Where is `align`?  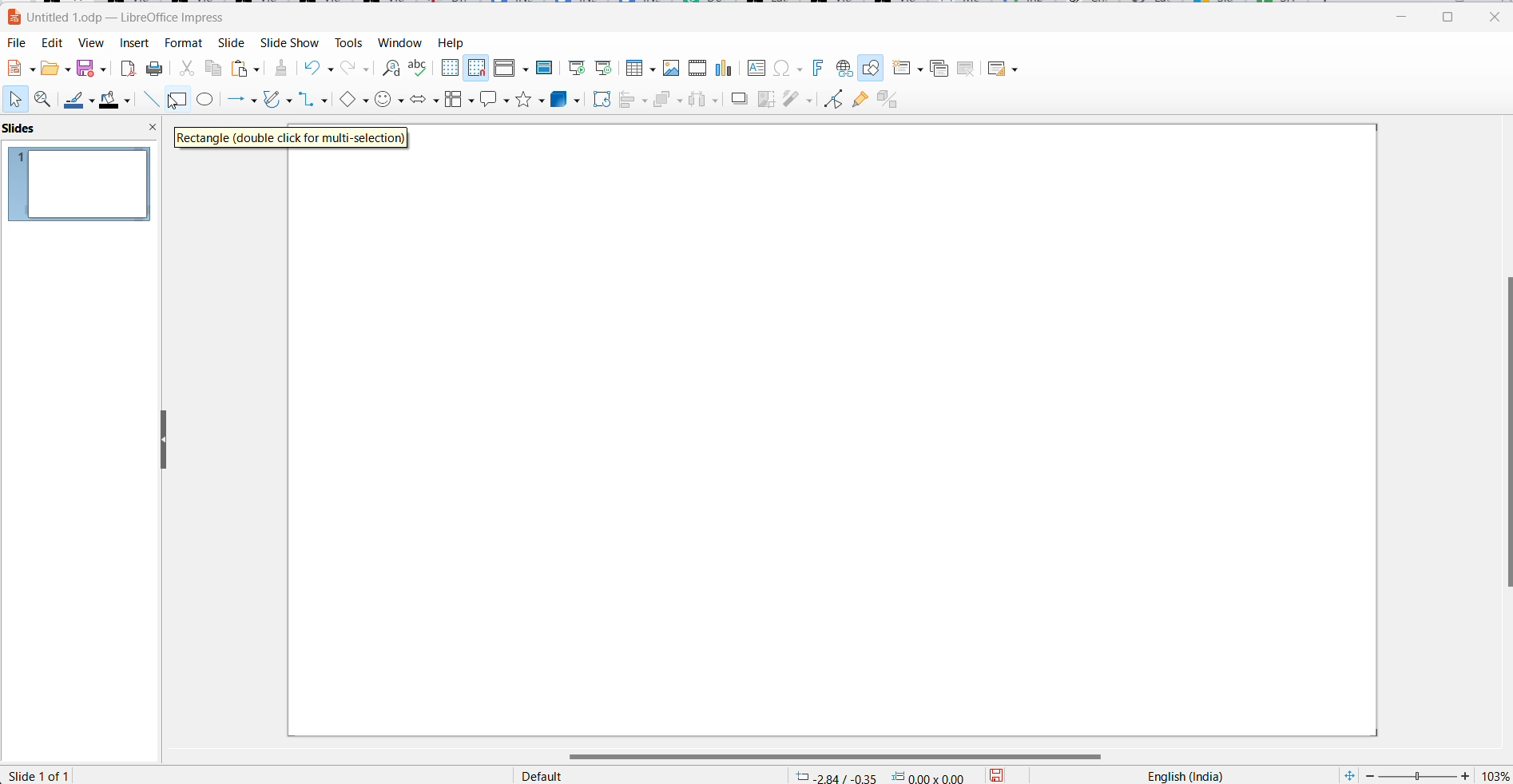 align is located at coordinates (633, 101).